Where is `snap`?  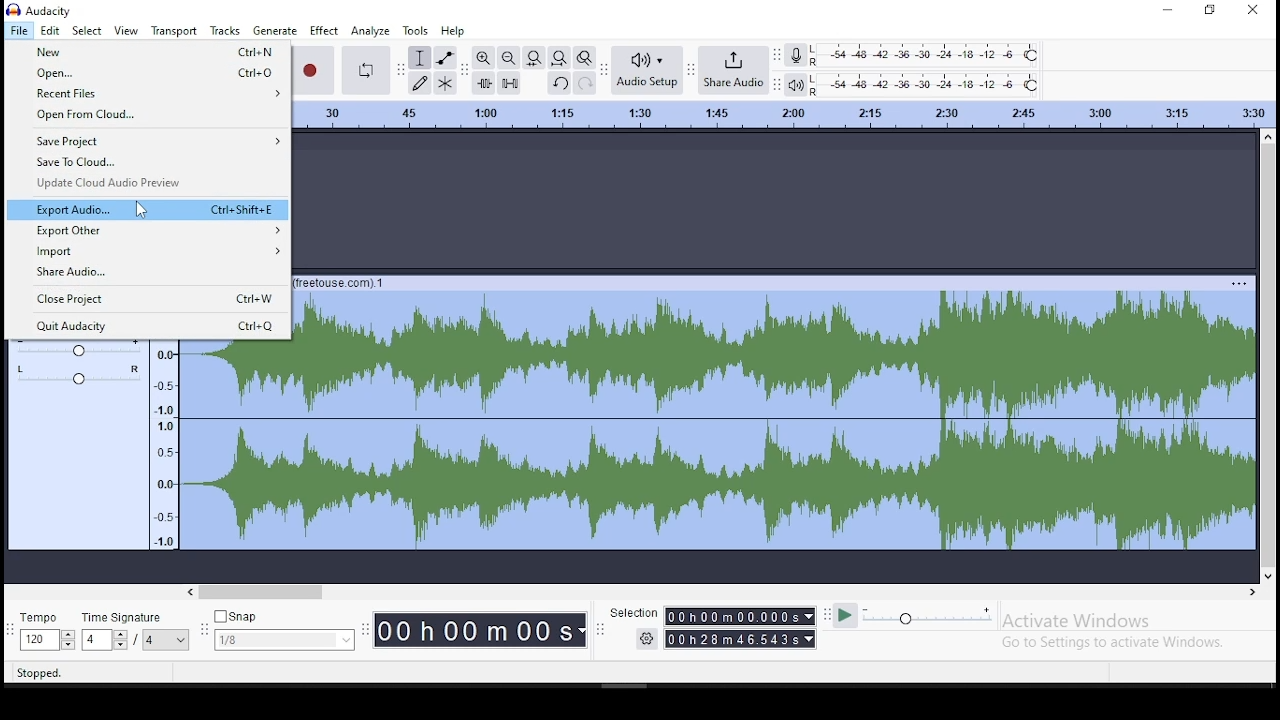
snap is located at coordinates (285, 631).